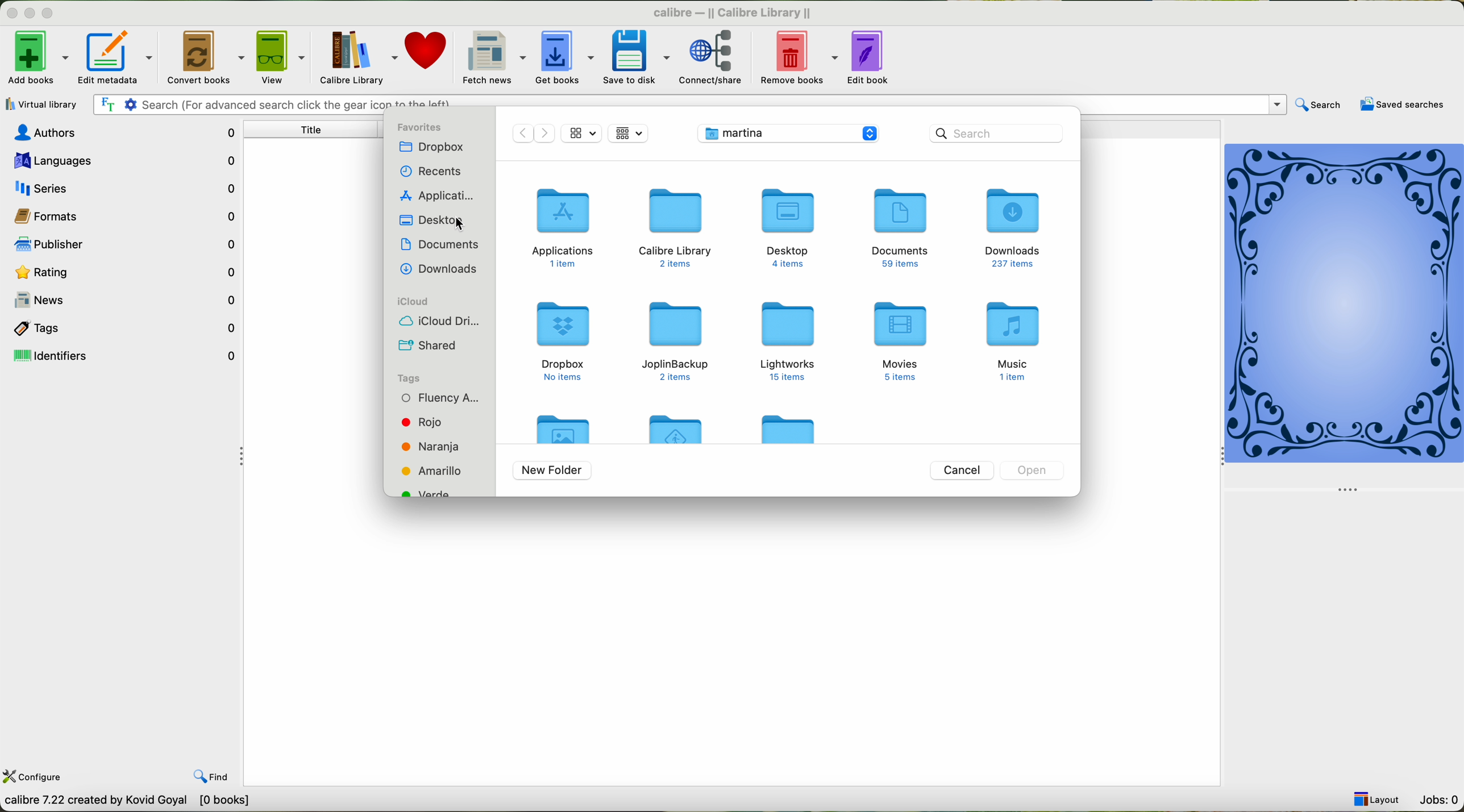  Describe the element at coordinates (789, 228) in the screenshot. I see `desktop folder` at that location.